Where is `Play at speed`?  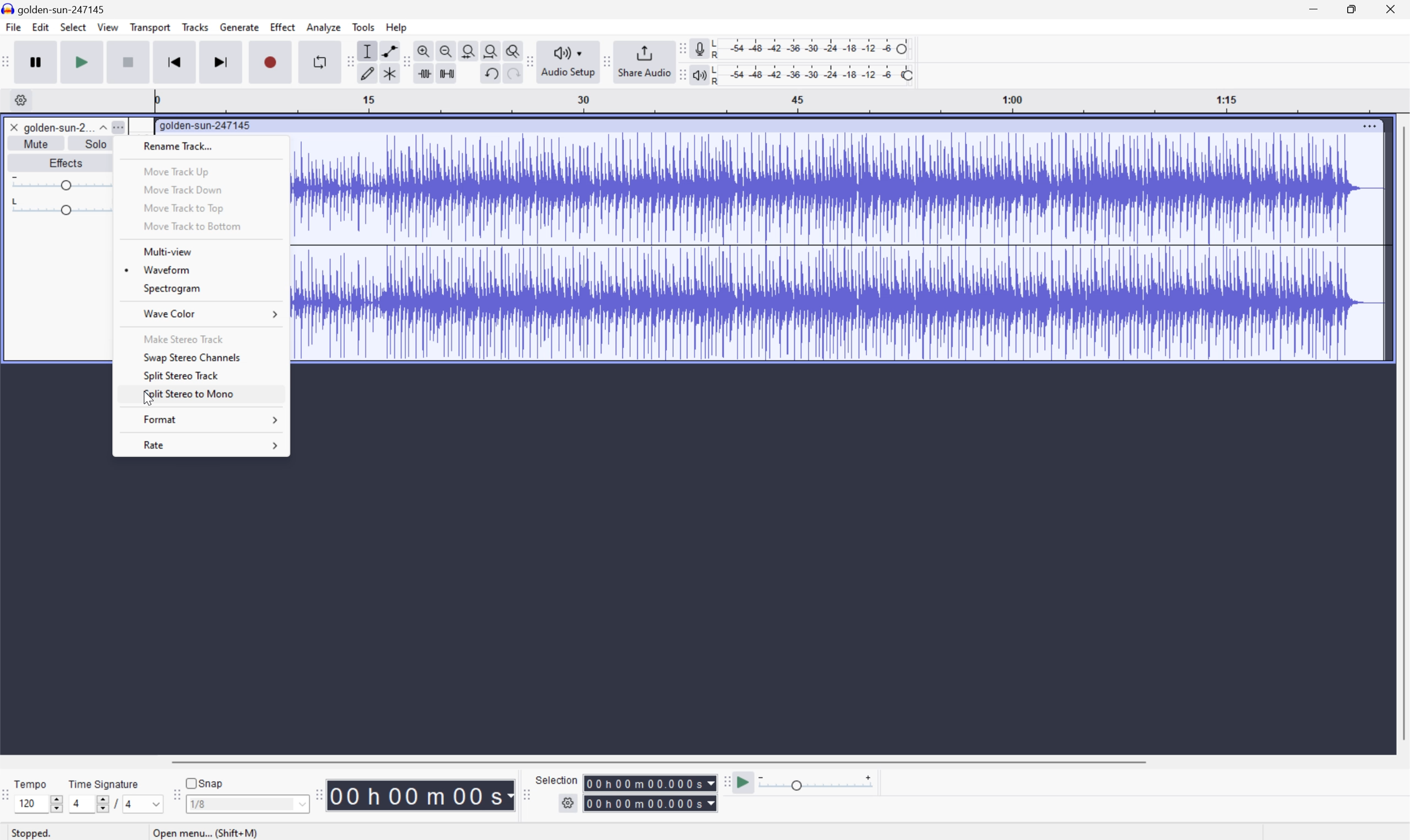
Play at speed is located at coordinates (745, 783).